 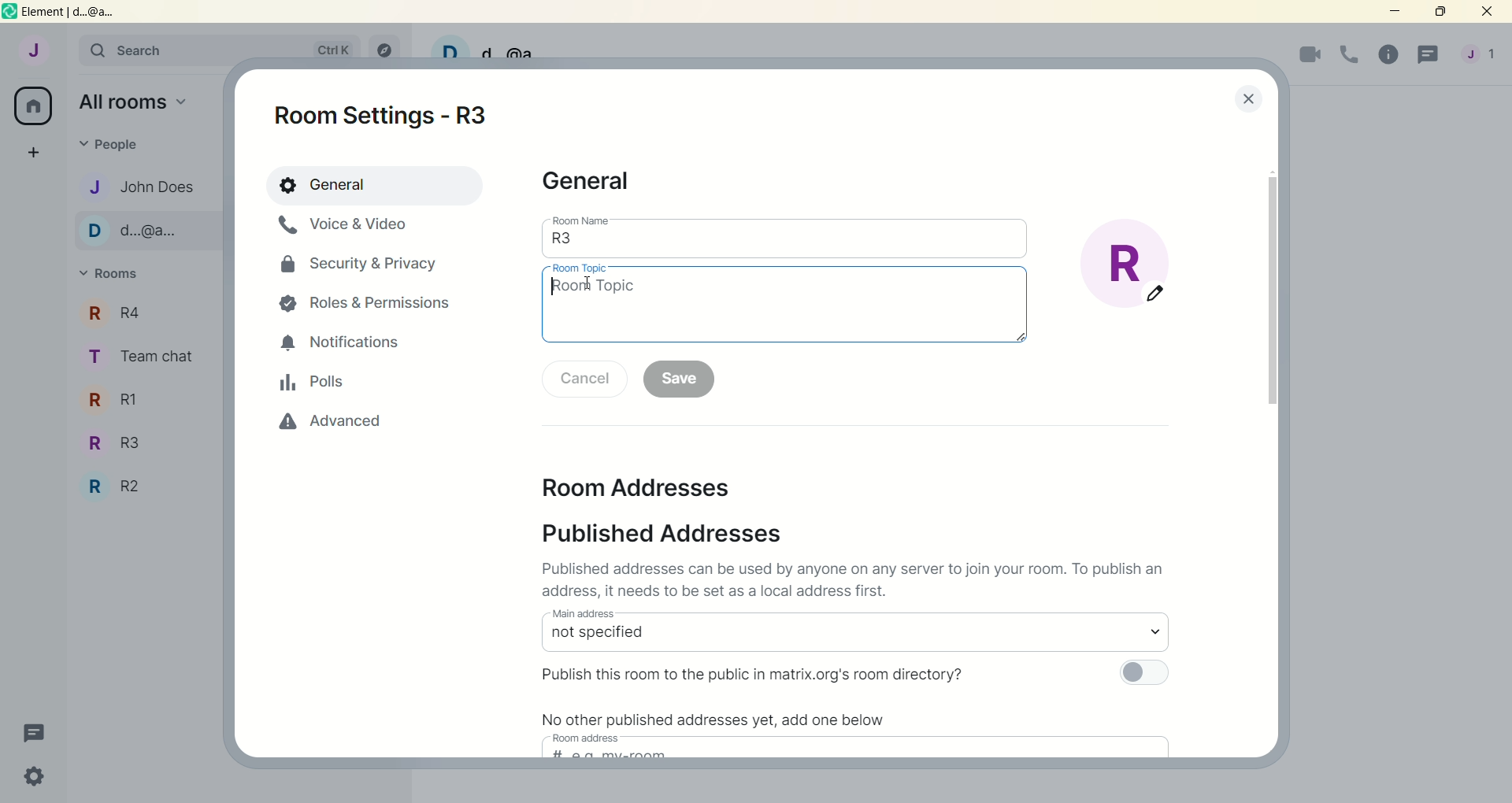 What do you see at coordinates (31, 151) in the screenshot?
I see `create a space` at bounding box center [31, 151].